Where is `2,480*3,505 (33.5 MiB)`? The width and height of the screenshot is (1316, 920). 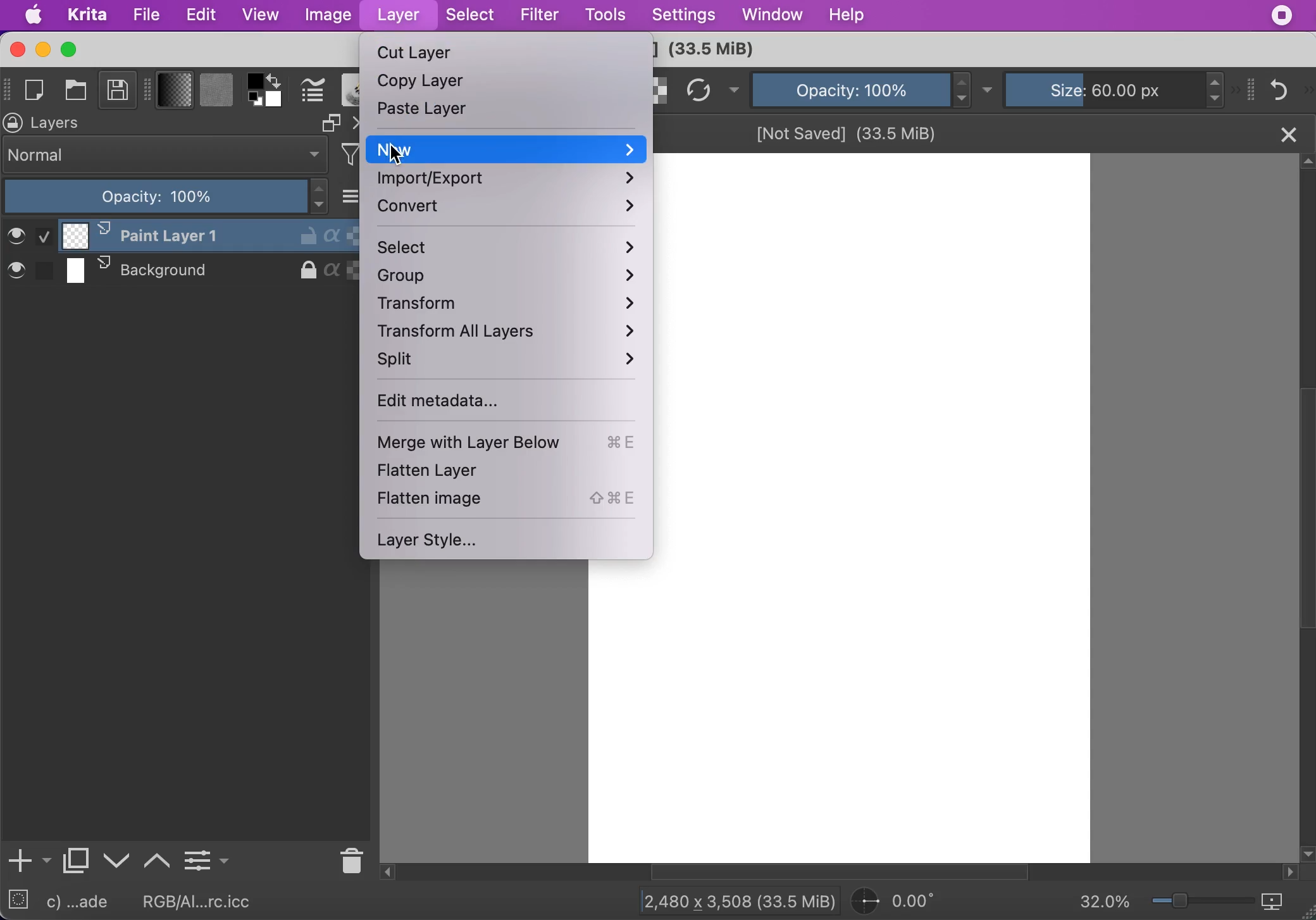 2,480*3,505 (33.5 MiB) is located at coordinates (728, 900).